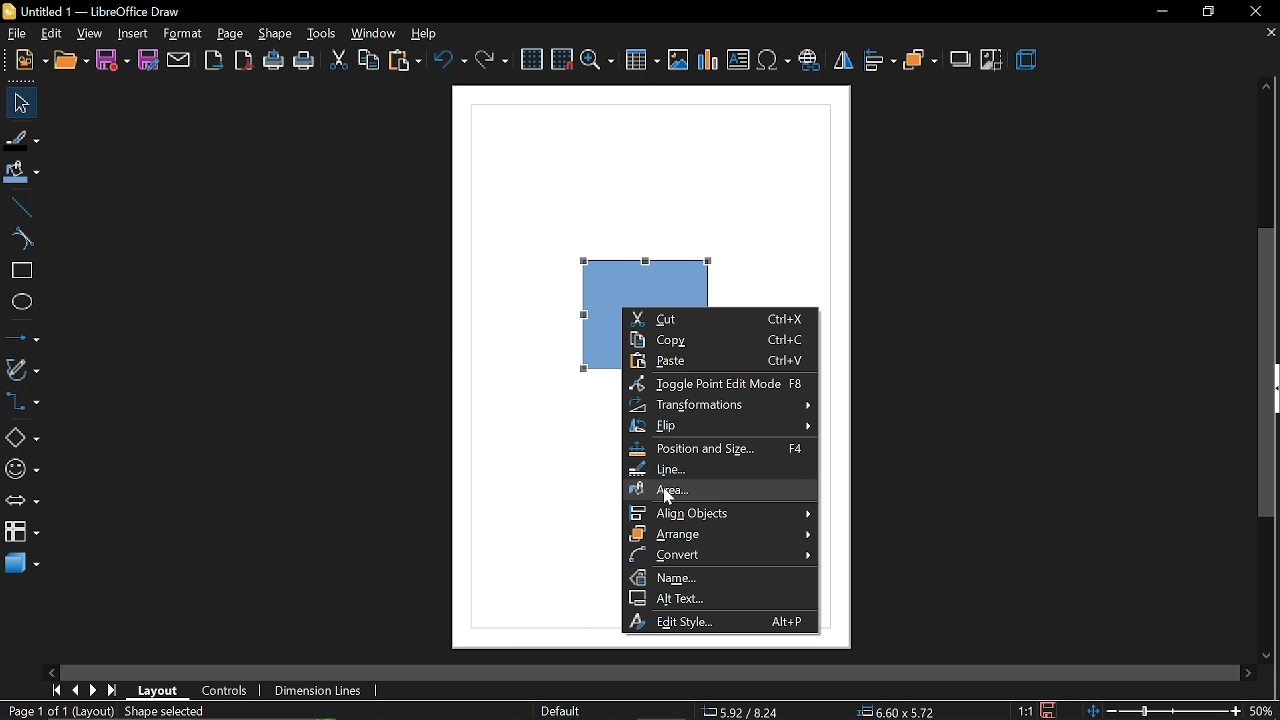  I want to click on attach, so click(181, 61).